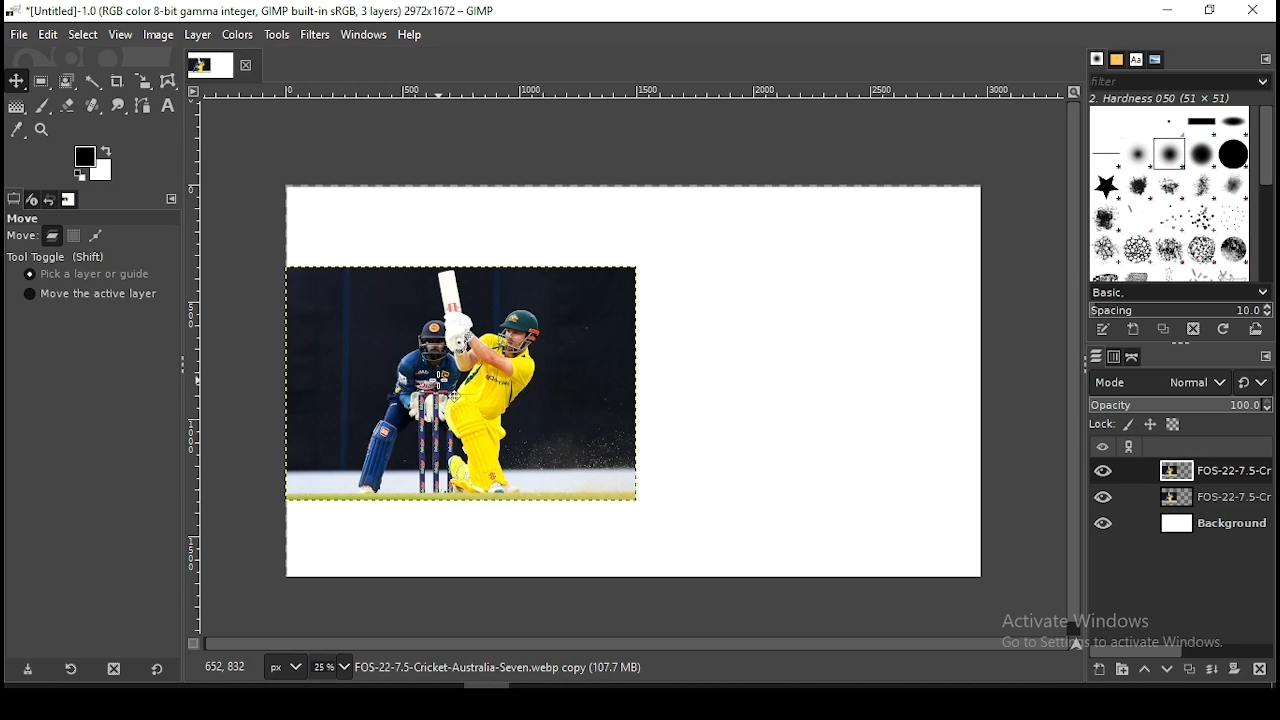 The image size is (1280, 720). What do you see at coordinates (68, 79) in the screenshot?
I see `foreground select tool` at bounding box center [68, 79].